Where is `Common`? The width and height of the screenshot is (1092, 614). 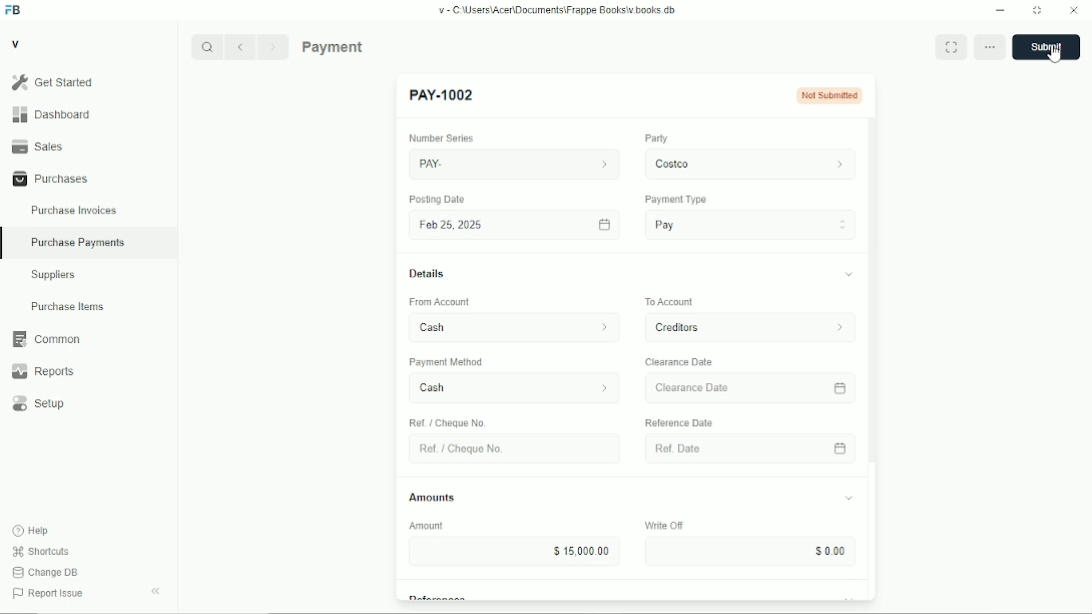
Common is located at coordinates (89, 339).